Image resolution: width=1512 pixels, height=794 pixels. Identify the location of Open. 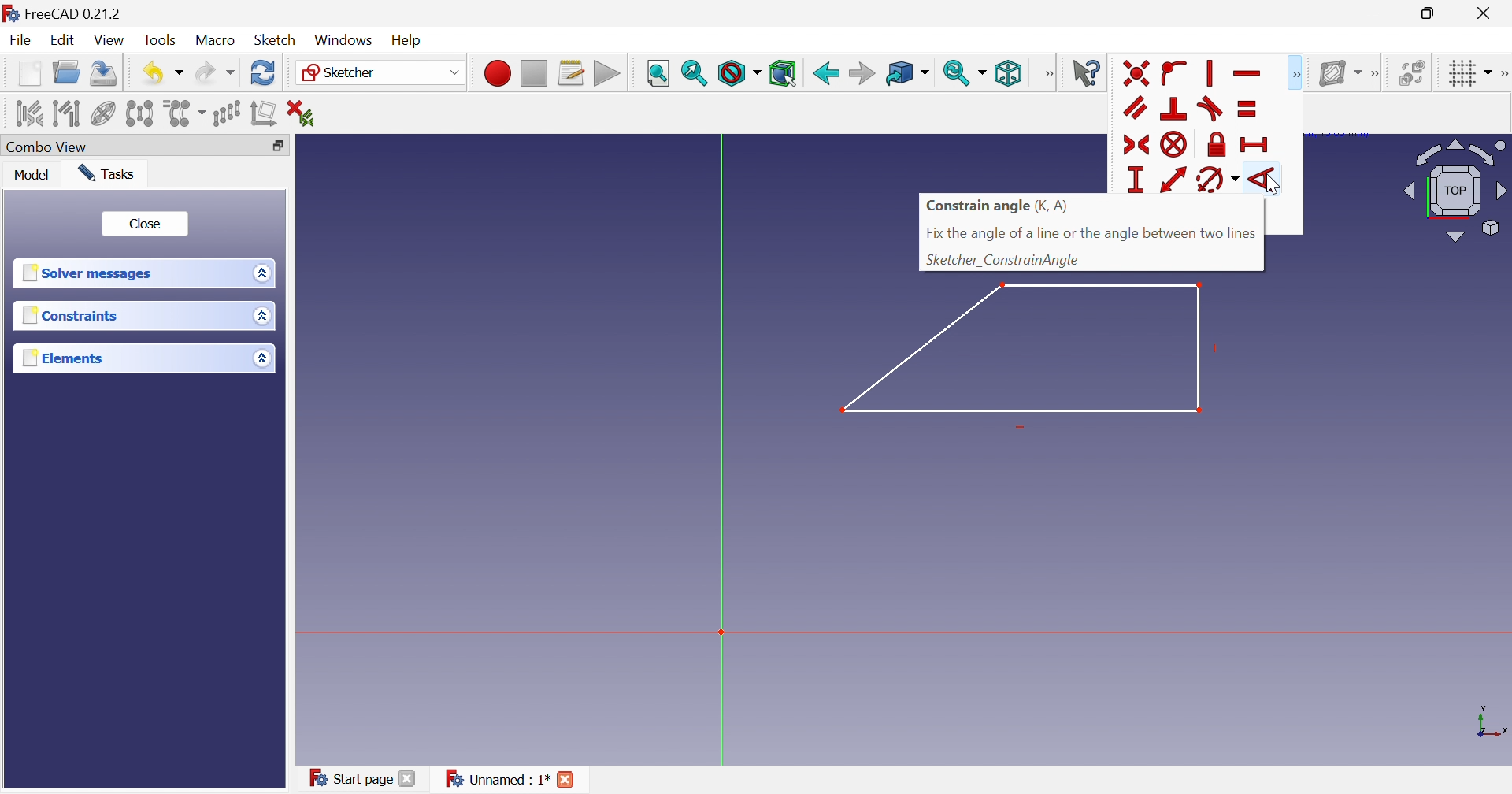
(69, 75).